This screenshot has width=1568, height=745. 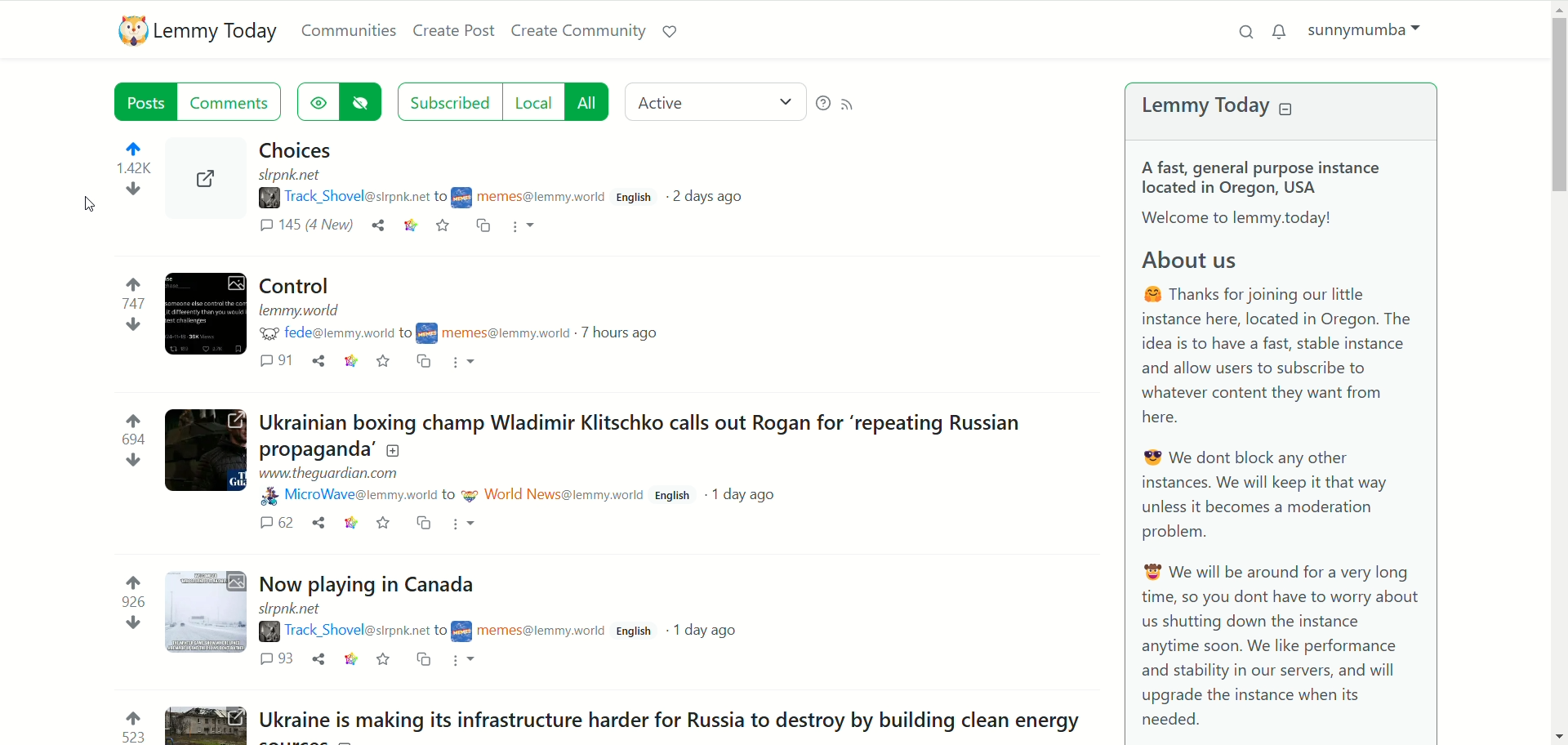 I want to click on save, so click(x=445, y=225).